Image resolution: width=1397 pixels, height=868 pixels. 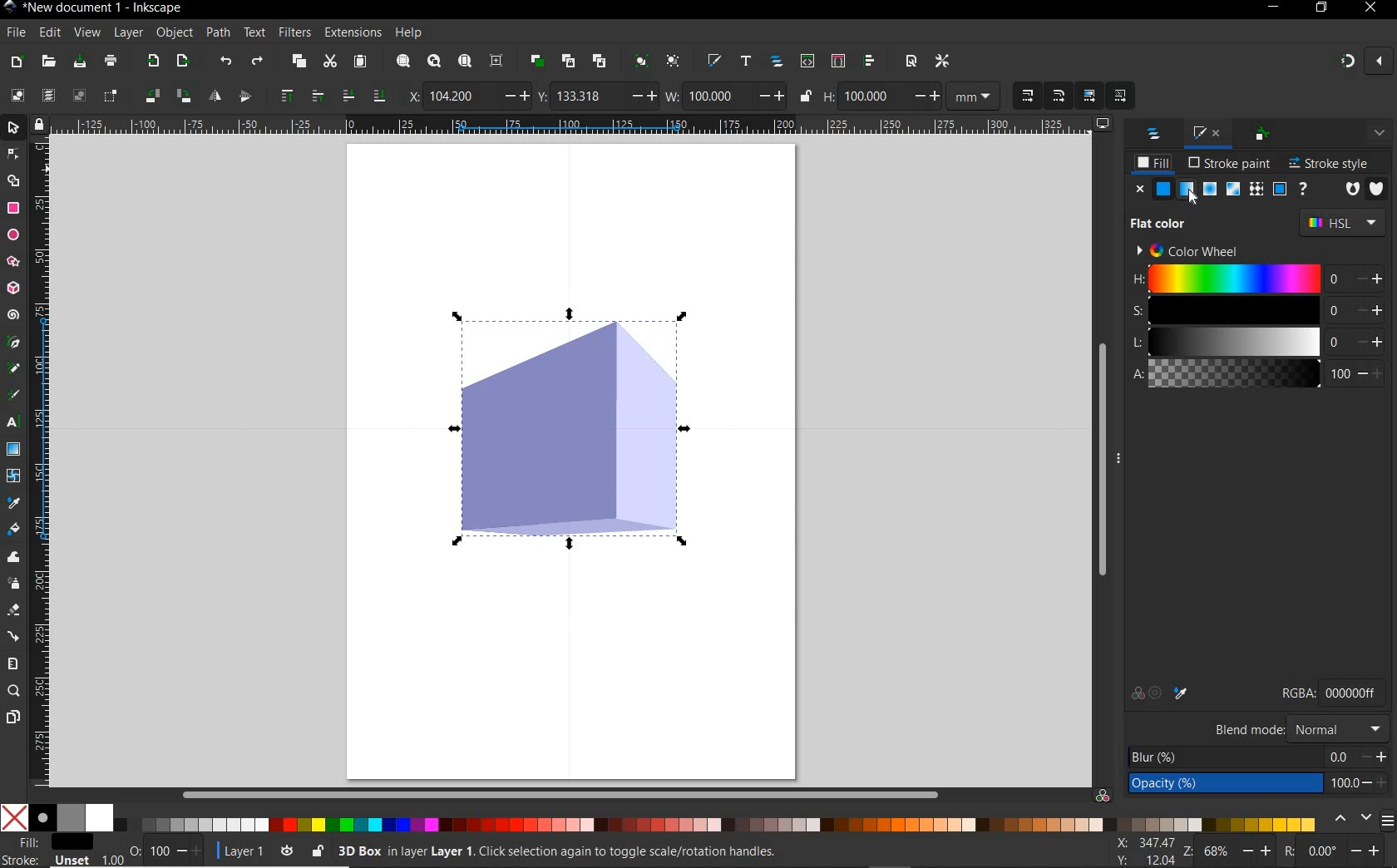 I want to click on EDIT, so click(x=48, y=31).